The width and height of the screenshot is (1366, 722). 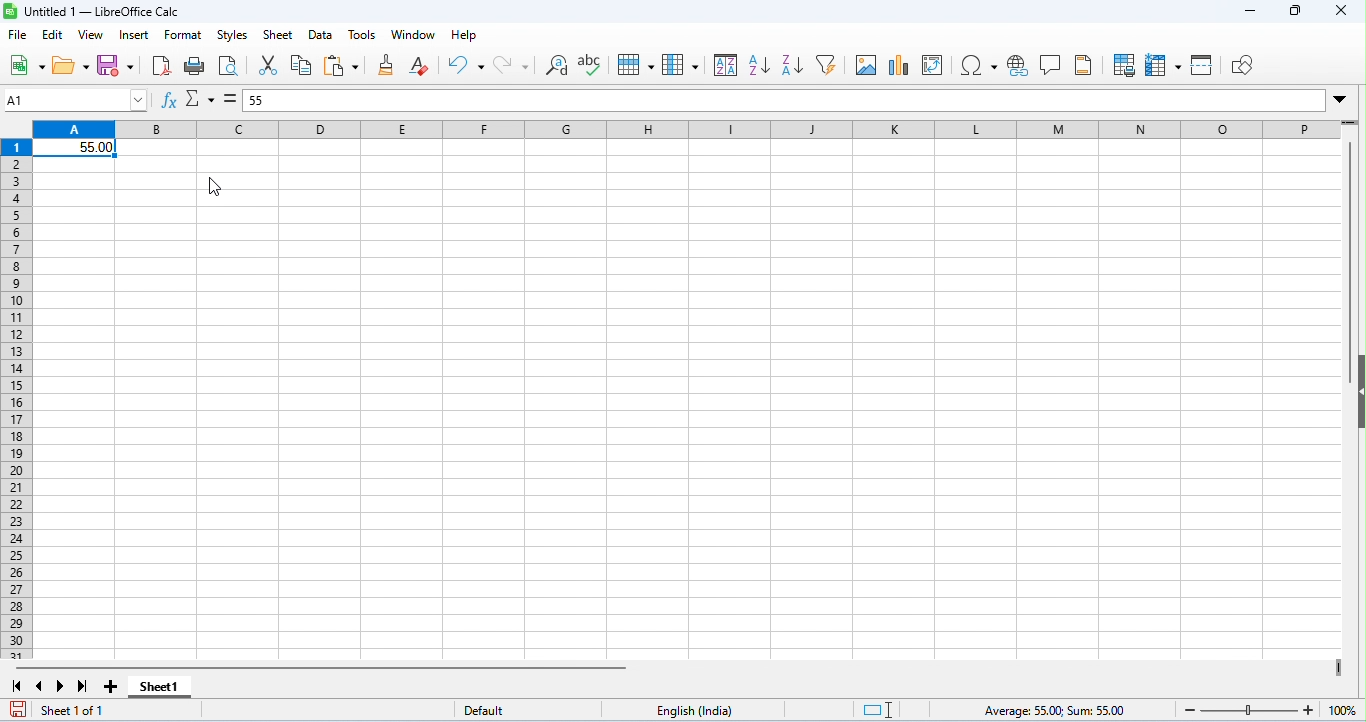 What do you see at coordinates (341, 66) in the screenshot?
I see `paste` at bounding box center [341, 66].